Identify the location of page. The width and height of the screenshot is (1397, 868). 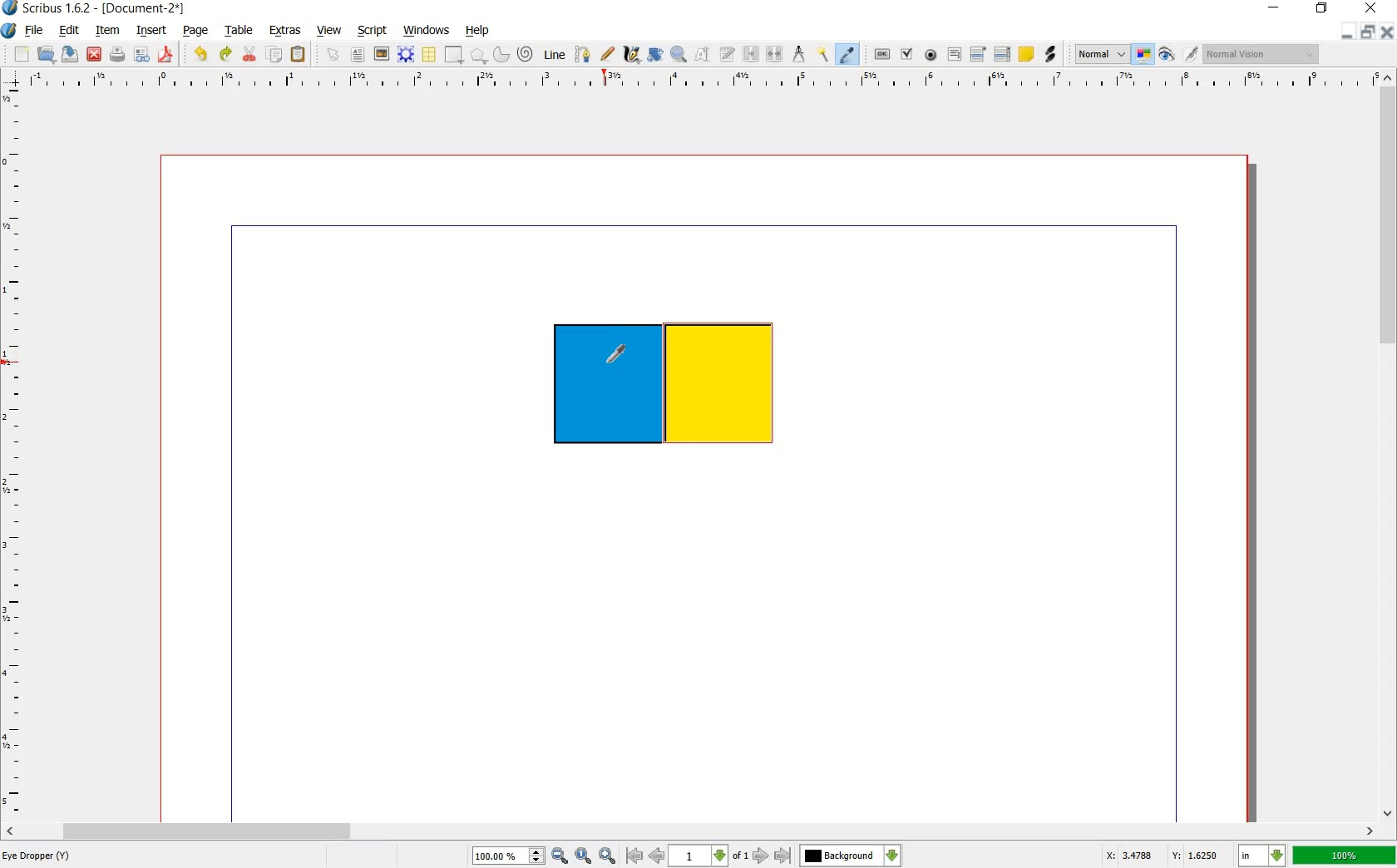
(196, 32).